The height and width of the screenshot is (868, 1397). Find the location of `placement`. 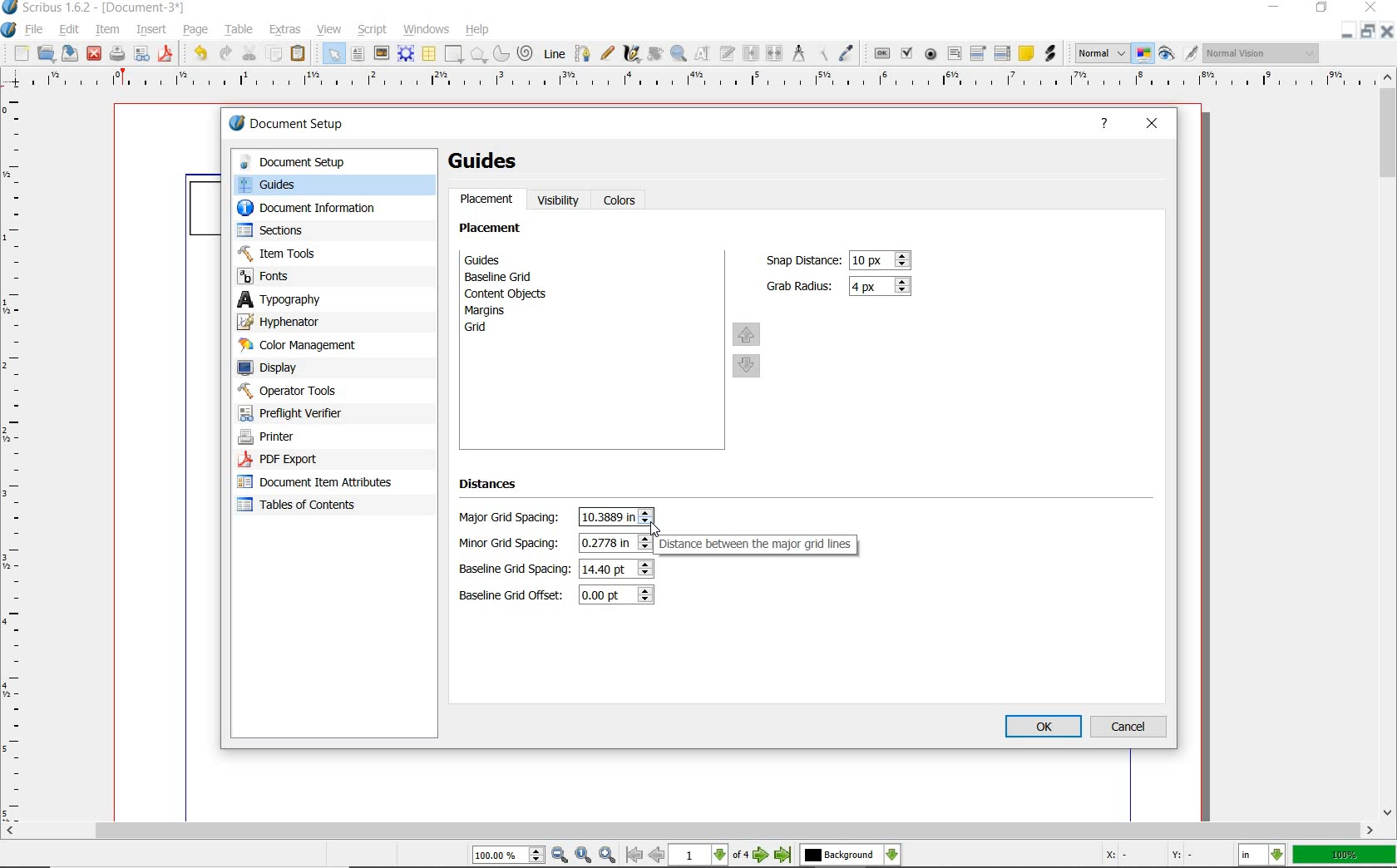

placement is located at coordinates (487, 201).